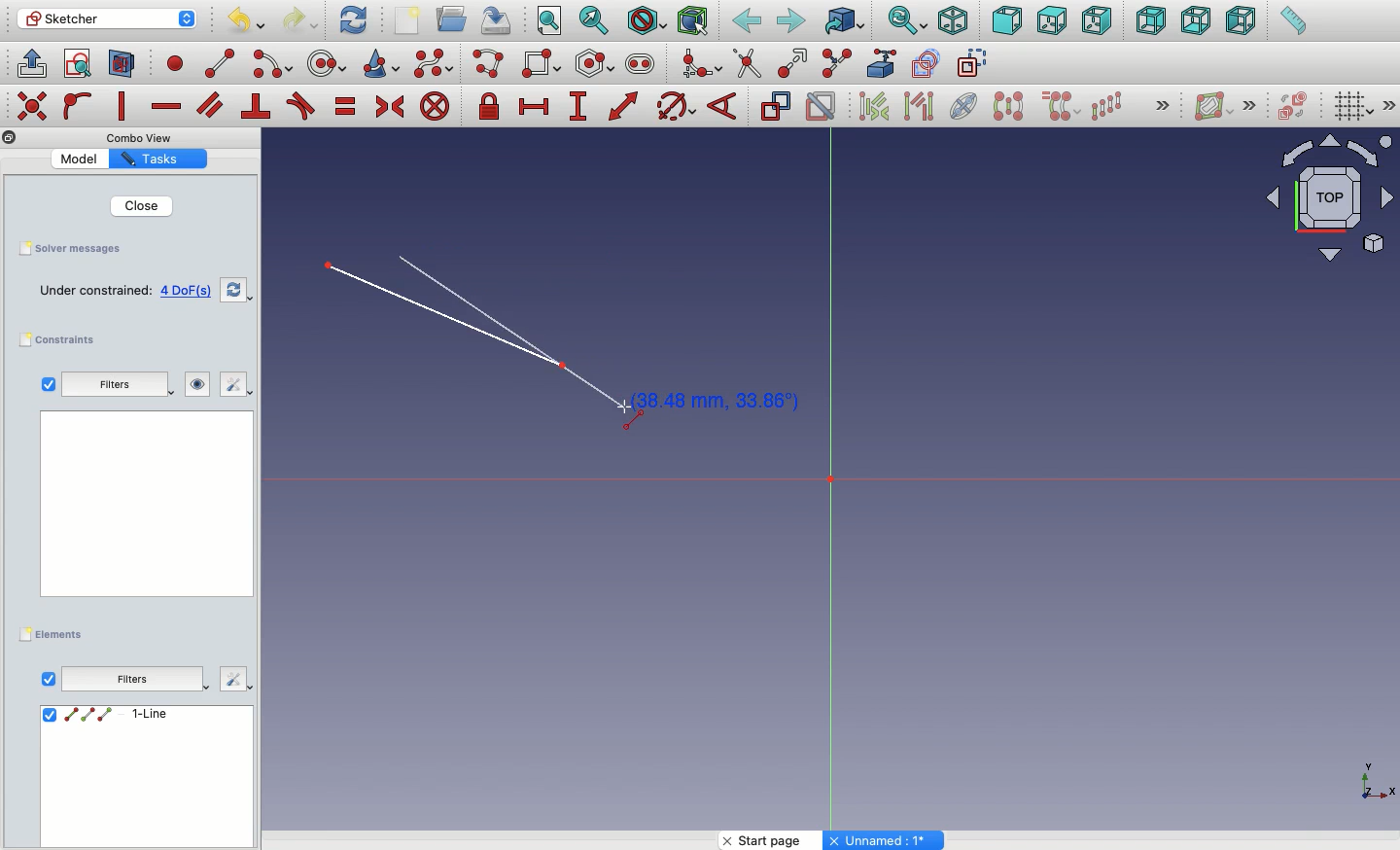 The height and width of the screenshot is (850, 1400). Describe the element at coordinates (879, 62) in the screenshot. I see `External geometry` at that location.